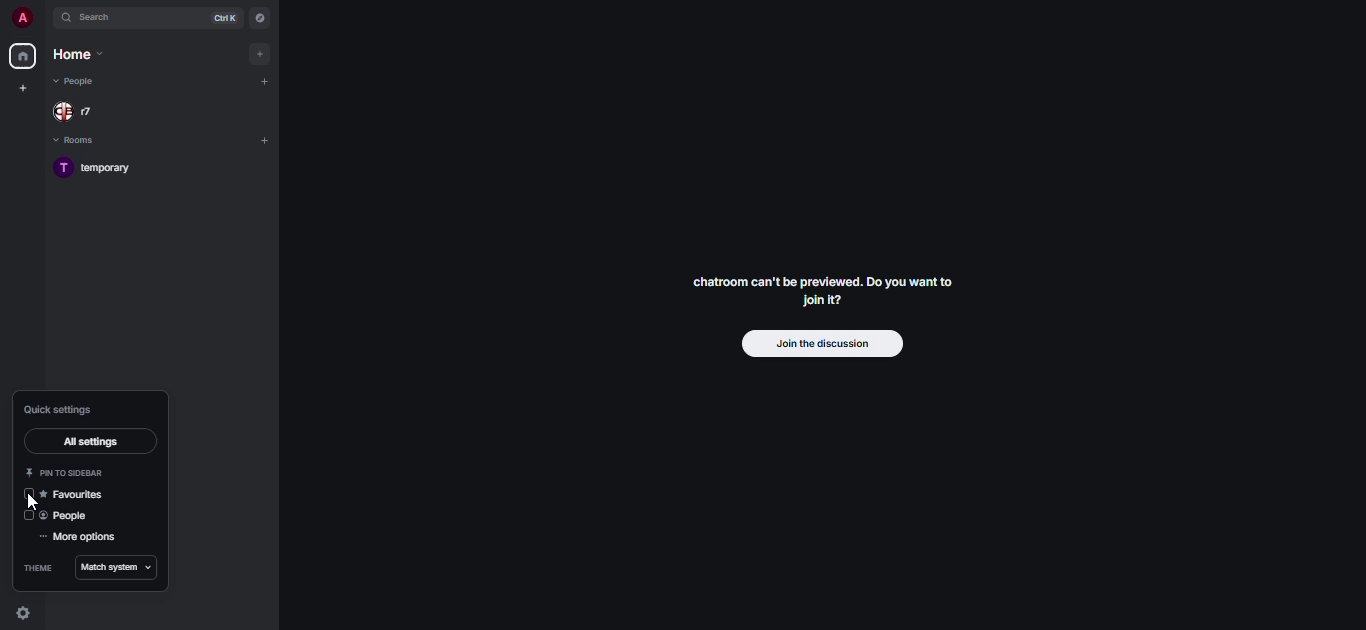 The image size is (1366, 630). Describe the element at coordinates (22, 56) in the screenshot. I see `home` at that location.